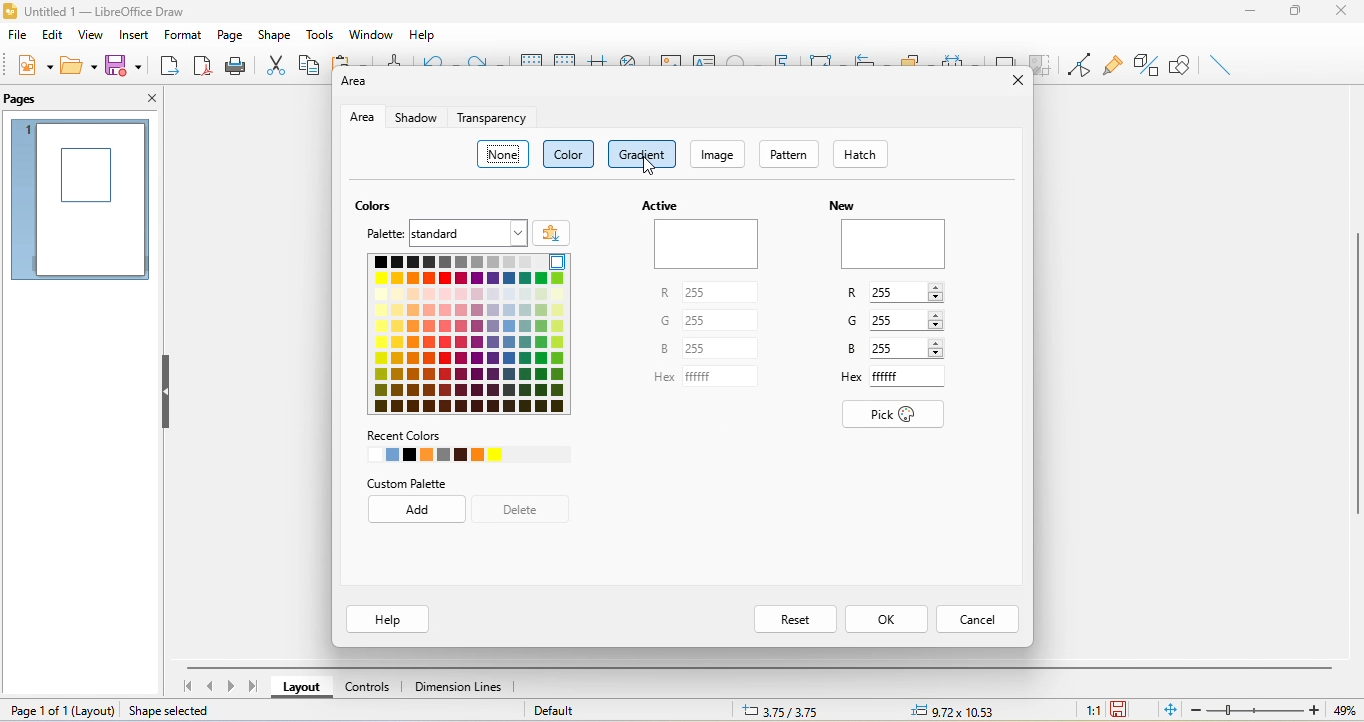 This screenshot has width=1364, height=722. What do you see at coordinates (231, 688) in the screenshot?
I see `next page` at bounding box center [231, 688].